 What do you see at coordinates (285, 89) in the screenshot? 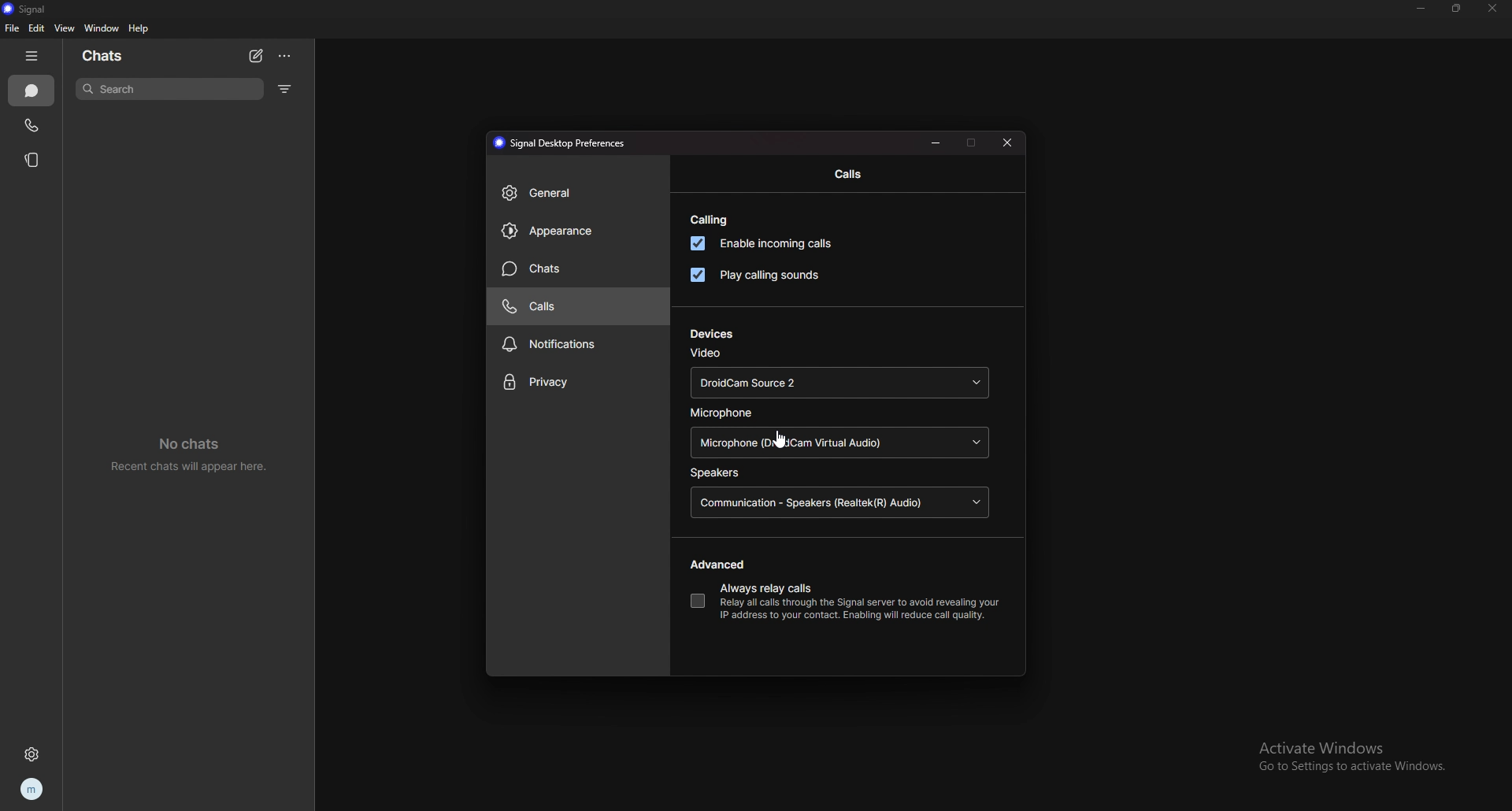
I see `filter` at bounding box center [285, 89].